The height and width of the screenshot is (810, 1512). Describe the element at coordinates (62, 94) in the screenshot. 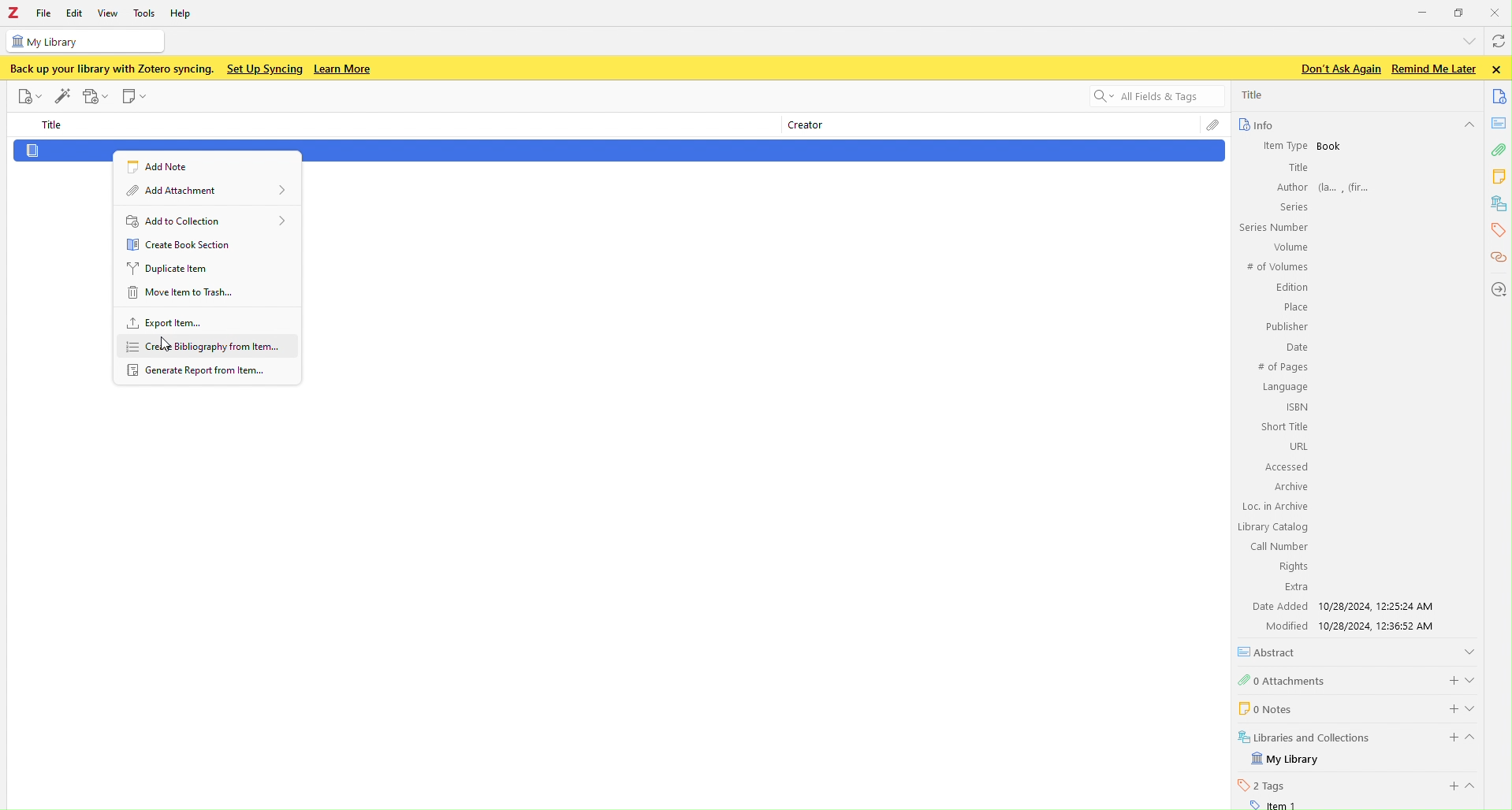

I see `edit` at that location.